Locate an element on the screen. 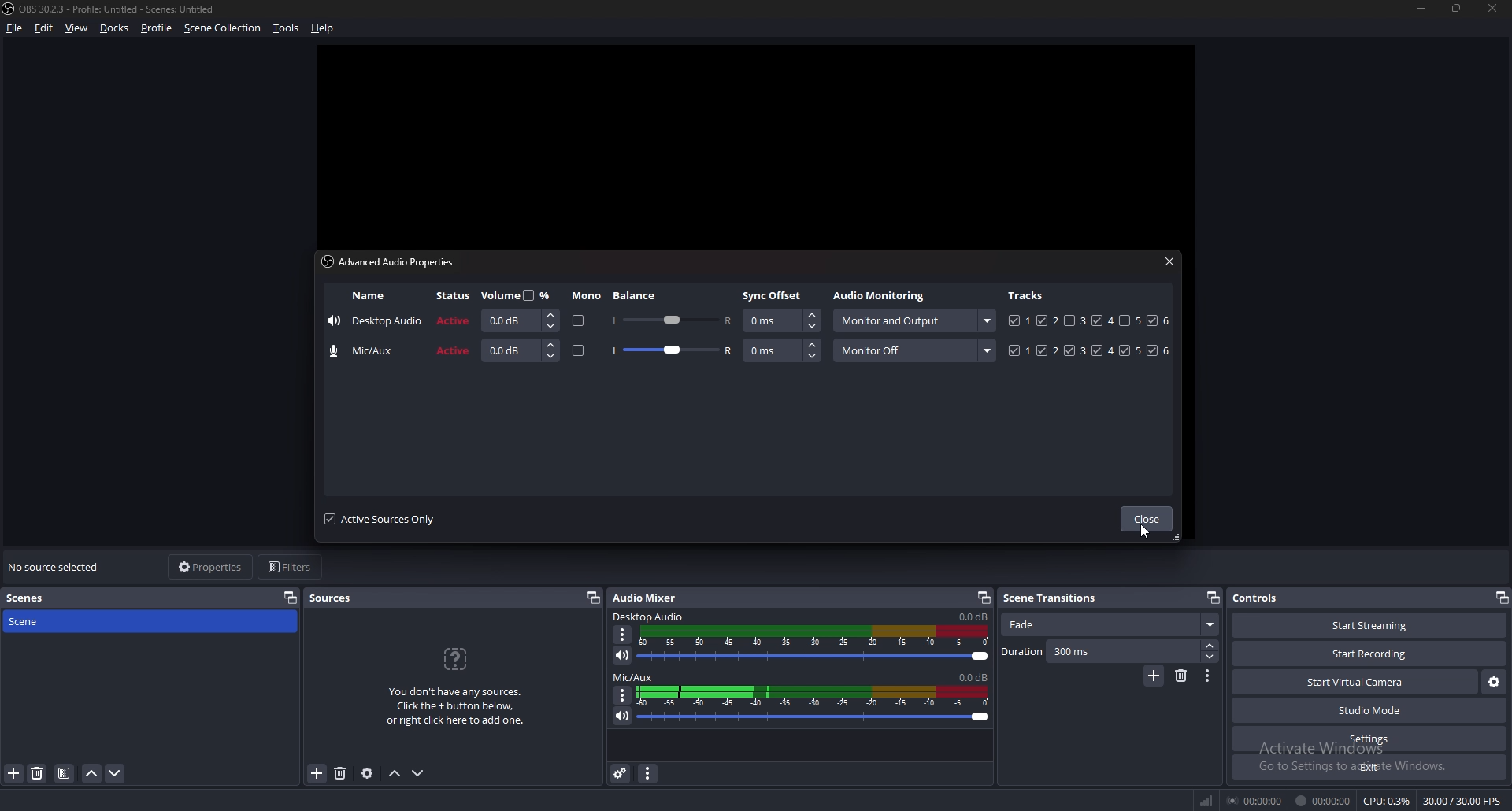 The image size is (1512, 811). sources is located at coordinates (337, 598).